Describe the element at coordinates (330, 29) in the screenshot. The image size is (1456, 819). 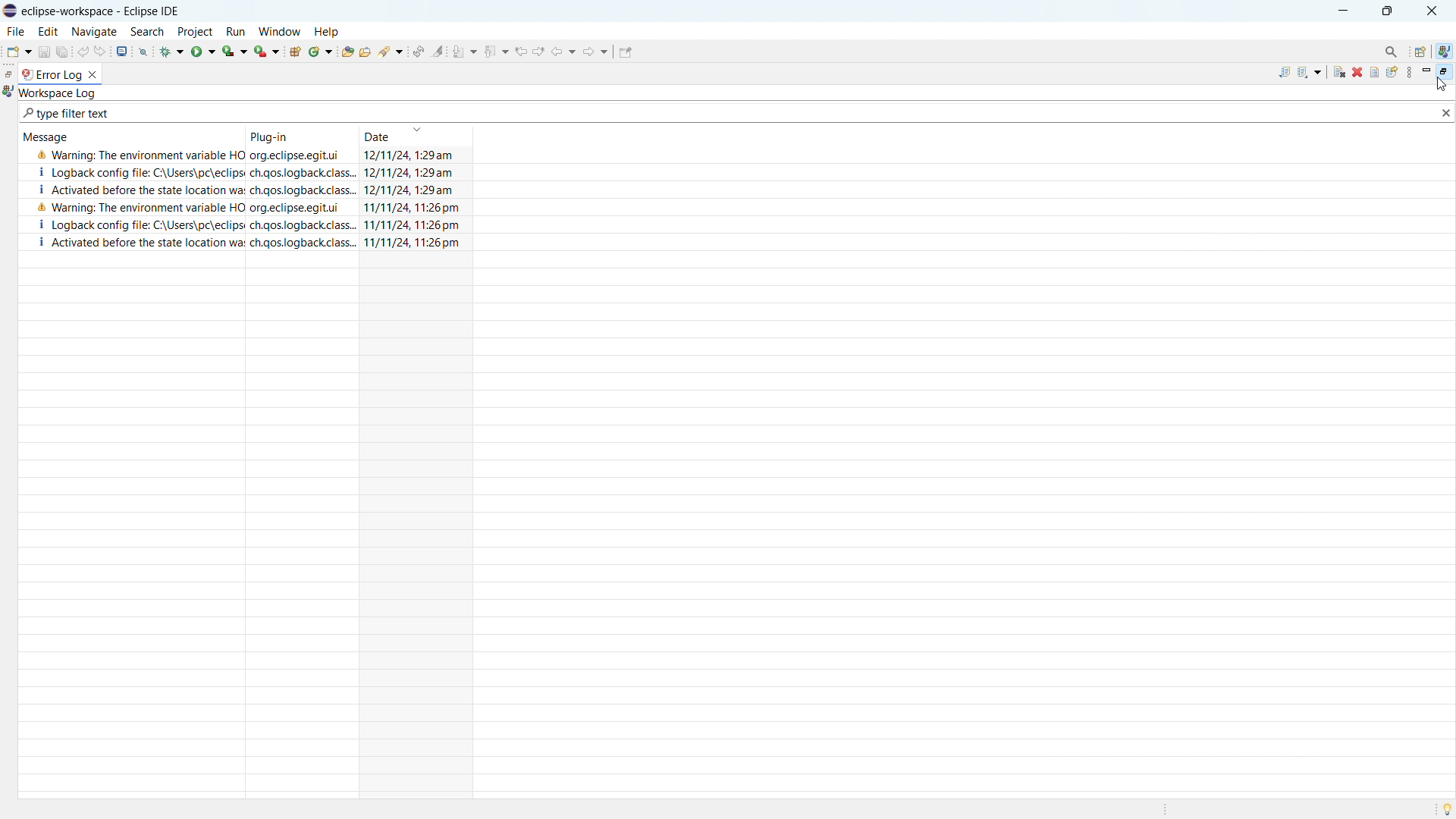
I see `help` at that location.